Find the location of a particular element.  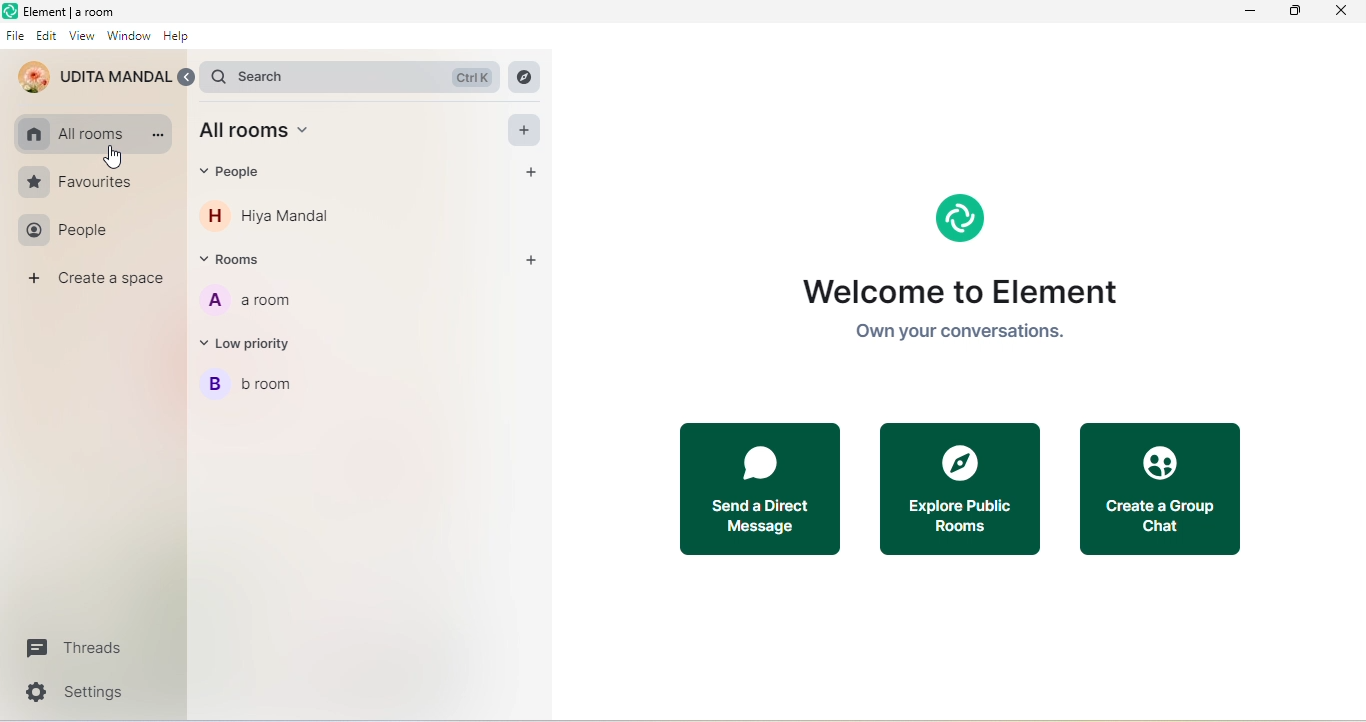

people is located at coordinates (245, 173).